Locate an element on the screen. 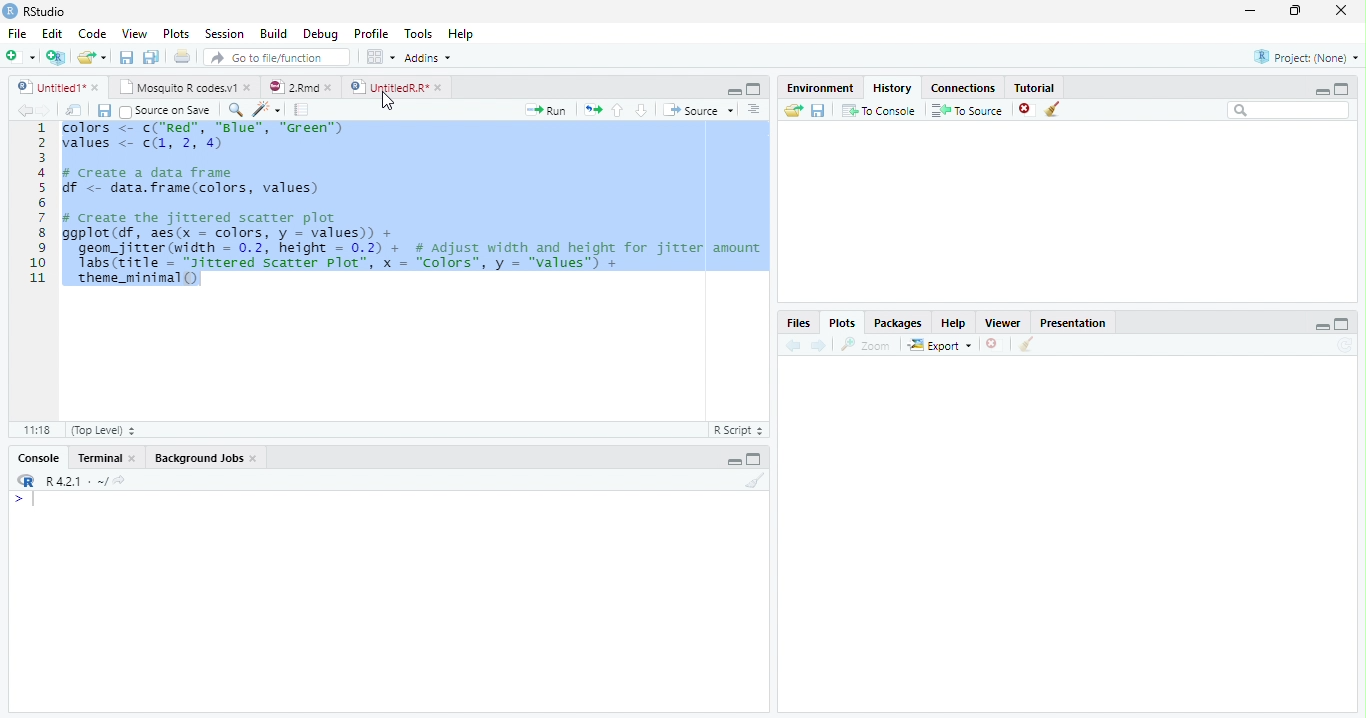  Clear all plots is located at coordinates (1025, 344).